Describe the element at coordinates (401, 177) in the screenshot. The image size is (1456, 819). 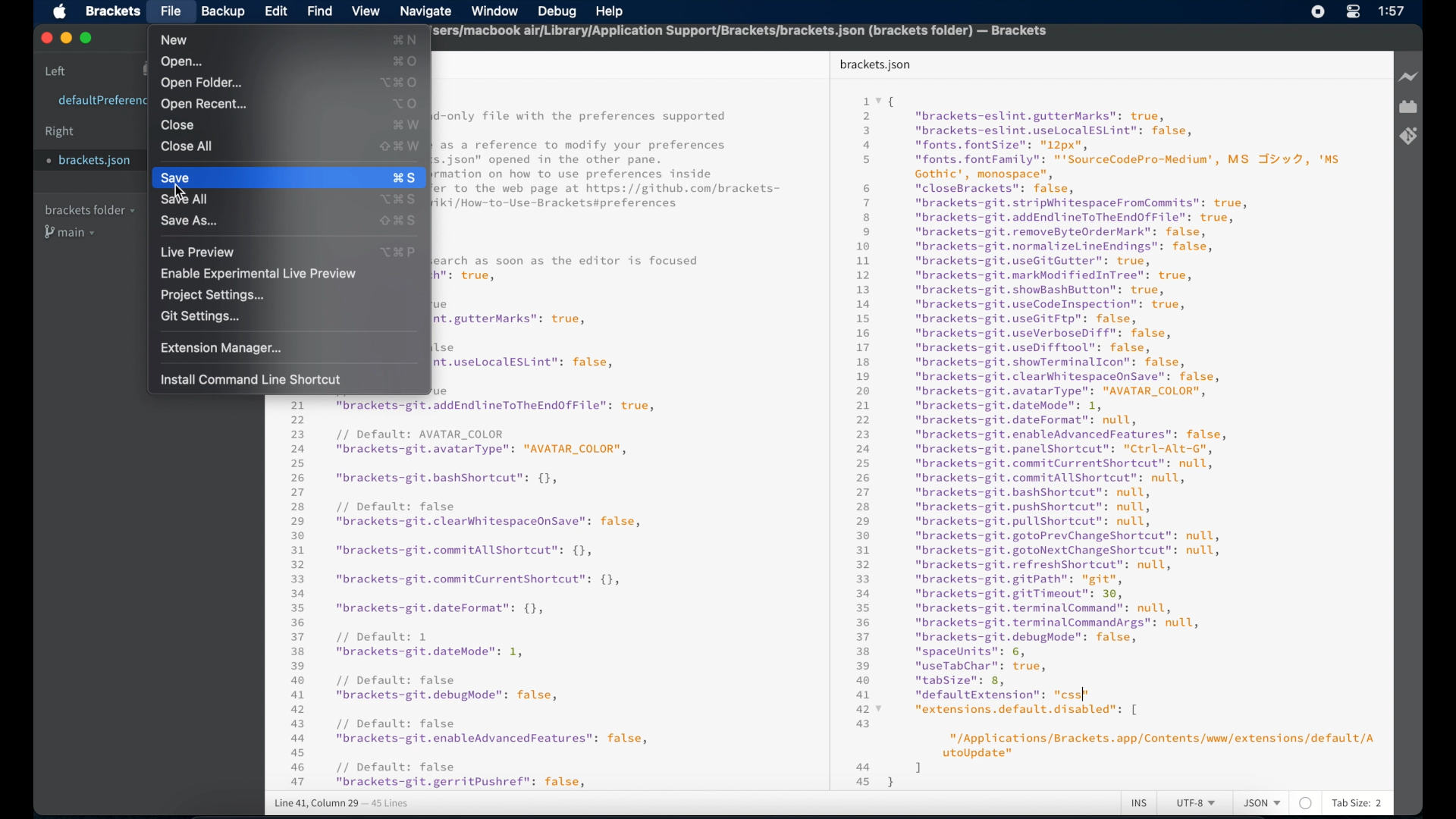
I see `save shortcut` at that location.